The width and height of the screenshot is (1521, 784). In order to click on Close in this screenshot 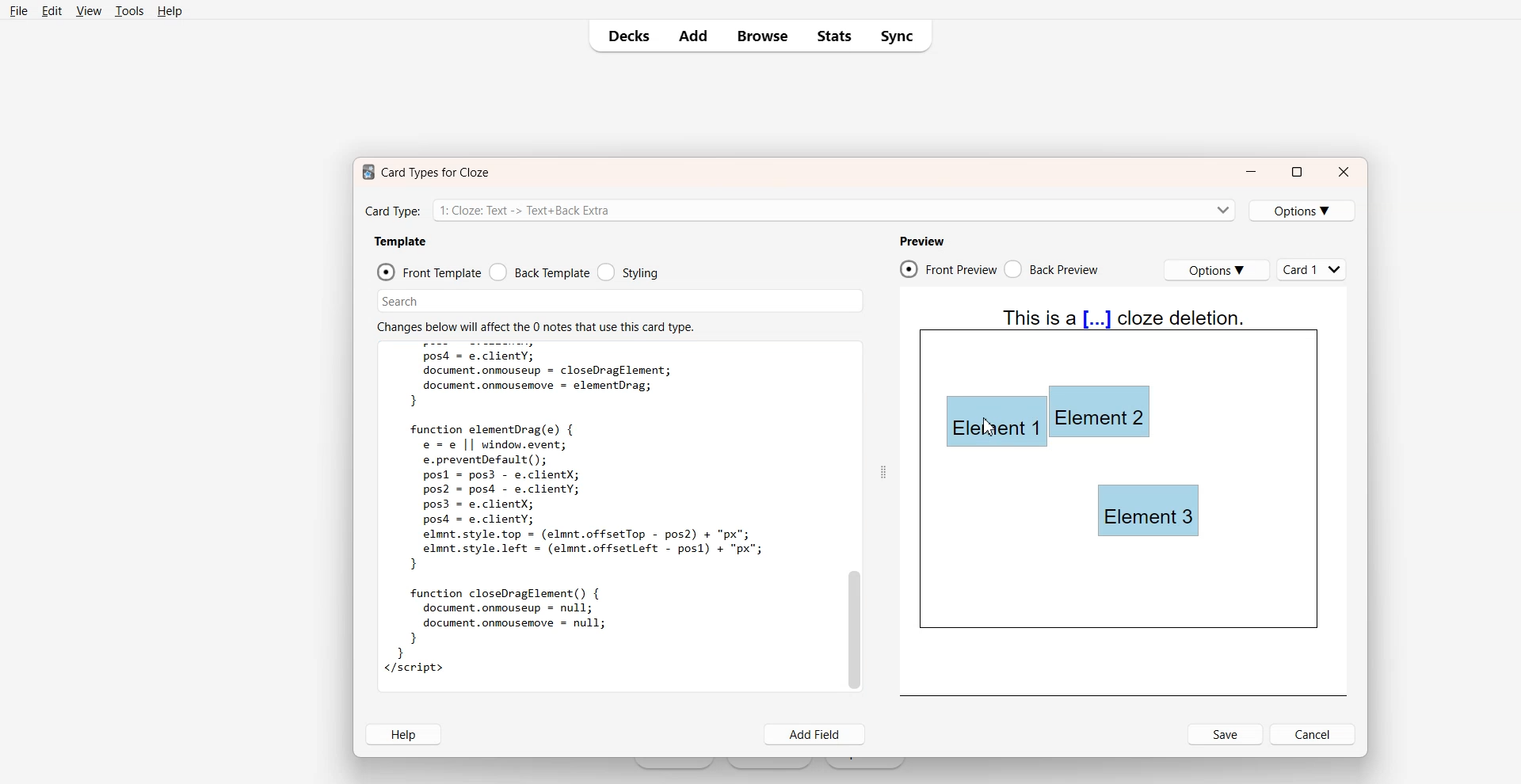, I will do `click(1344, 172)`.